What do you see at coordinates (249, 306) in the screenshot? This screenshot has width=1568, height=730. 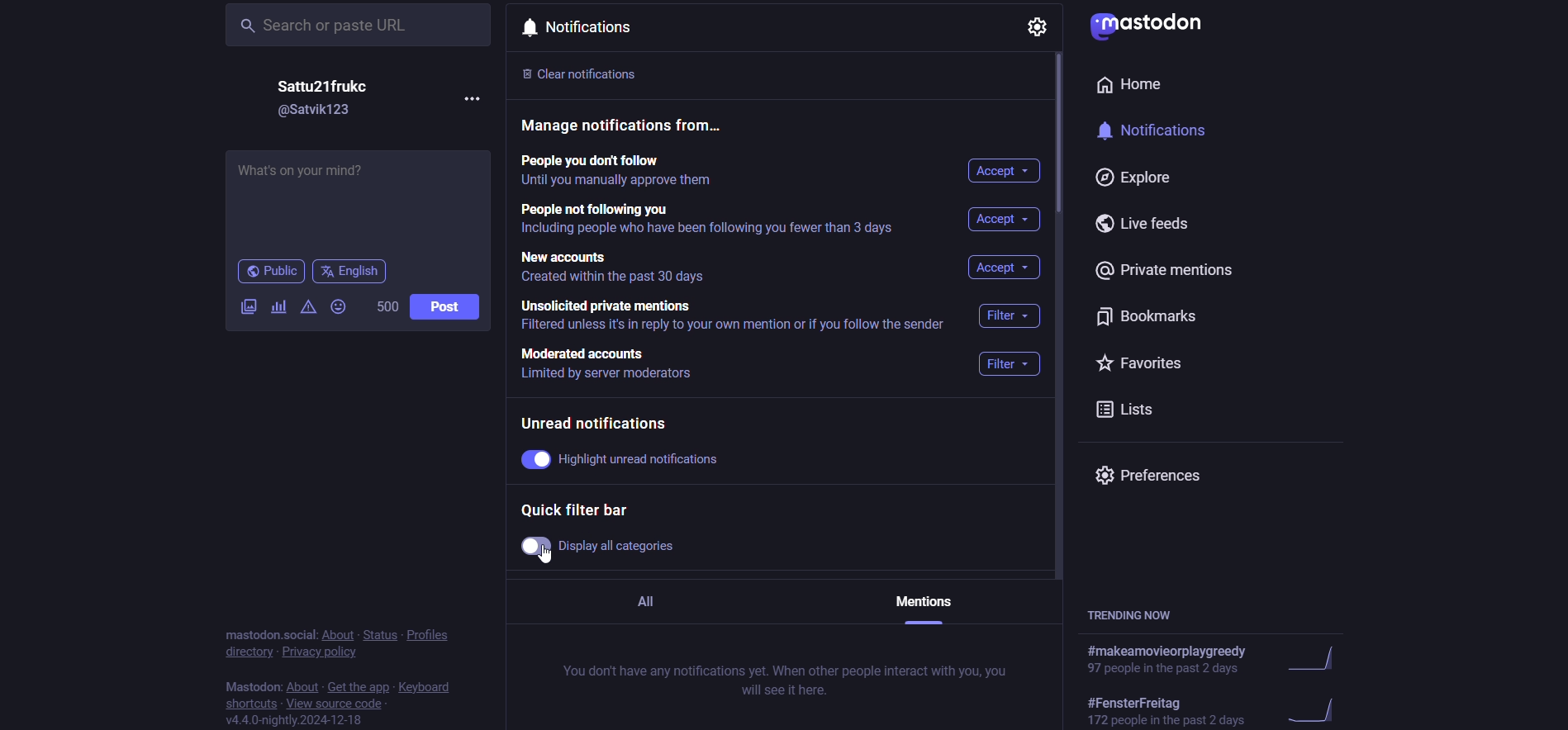 I see `Attach images` at bounding box center [249, 306].